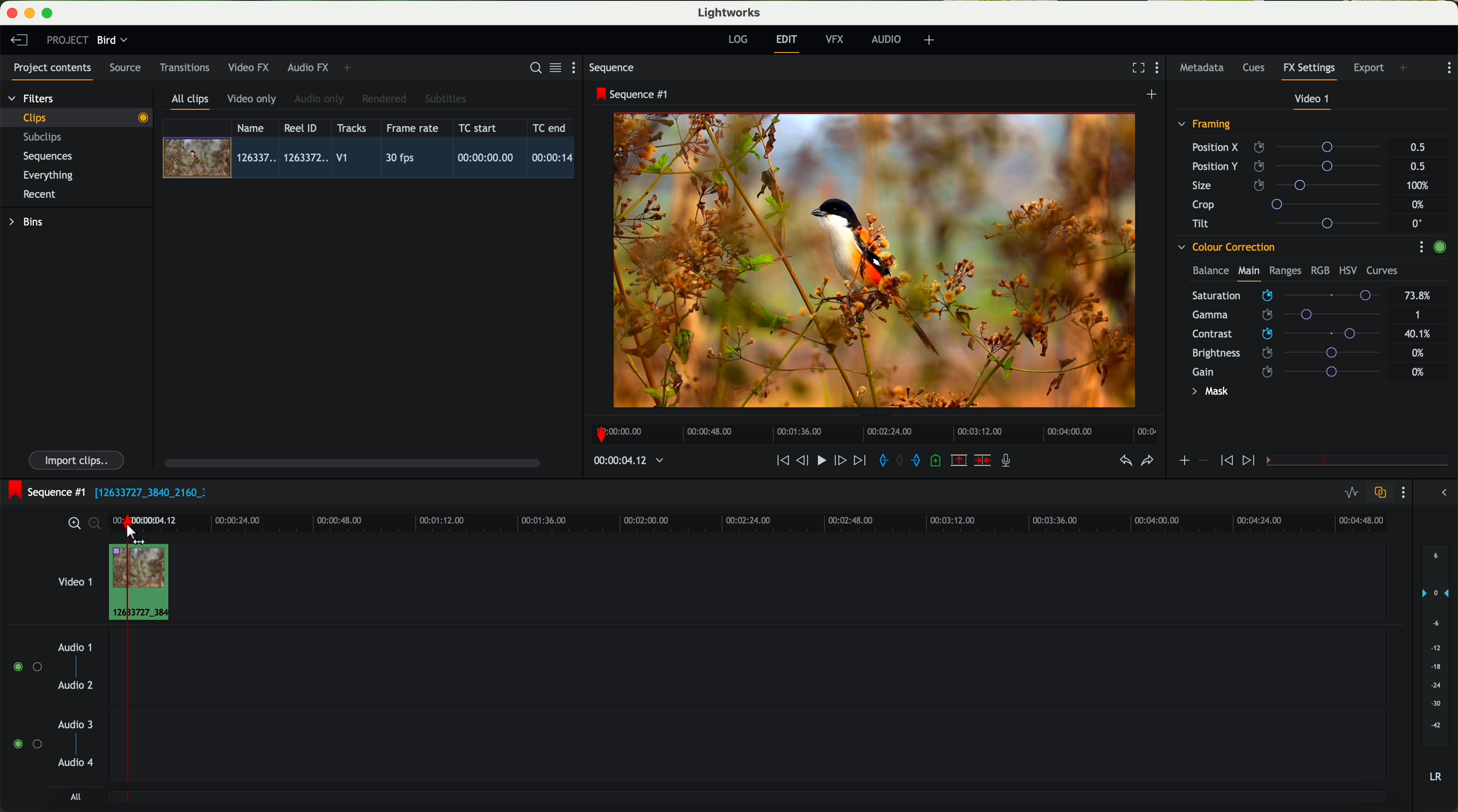 The image size is (1458, 812). Describe the element at coordinates (1417, 166) in the screenshot. I see `0.5` at that location.